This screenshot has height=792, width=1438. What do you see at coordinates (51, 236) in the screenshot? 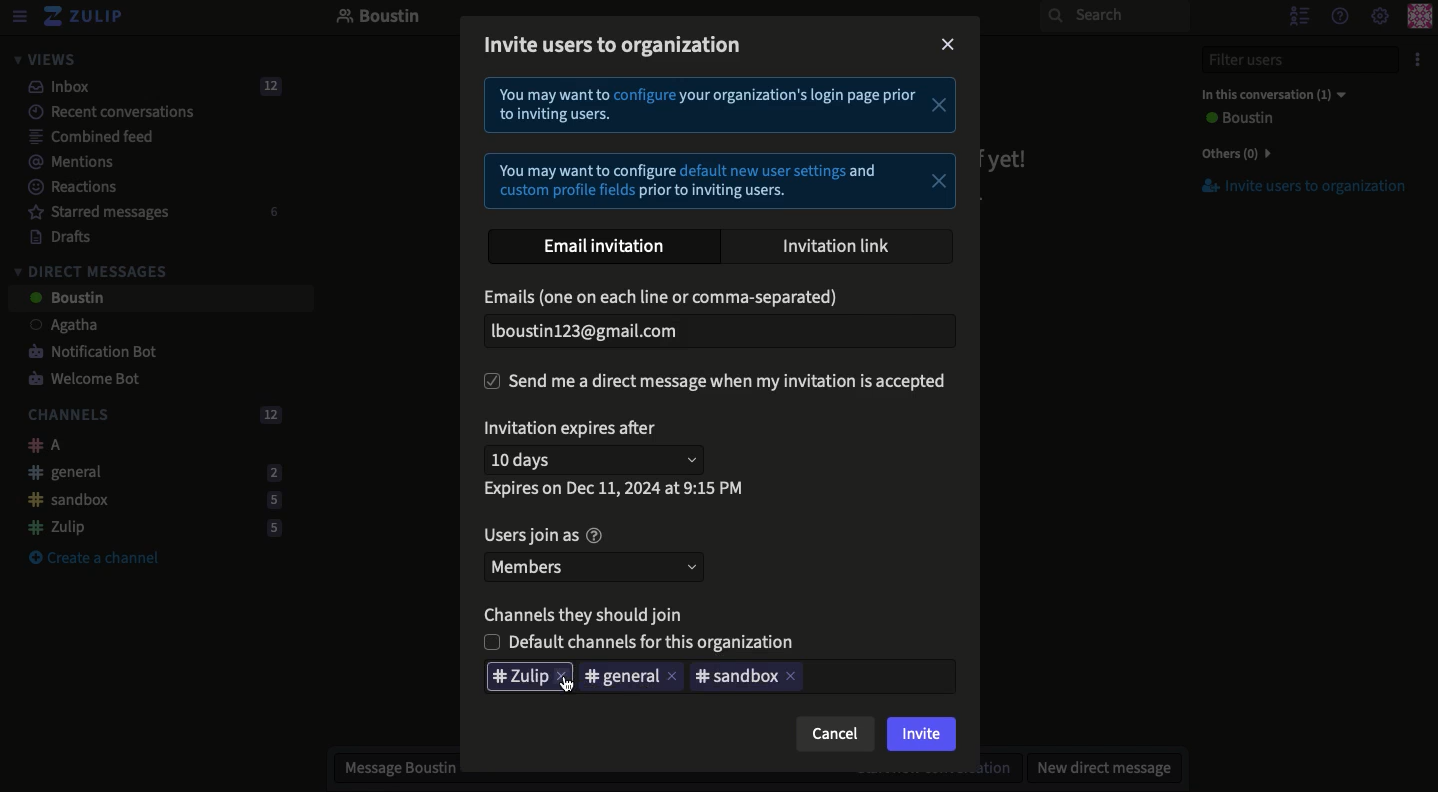
I see `Drafts` at bounding box center [51, 236].